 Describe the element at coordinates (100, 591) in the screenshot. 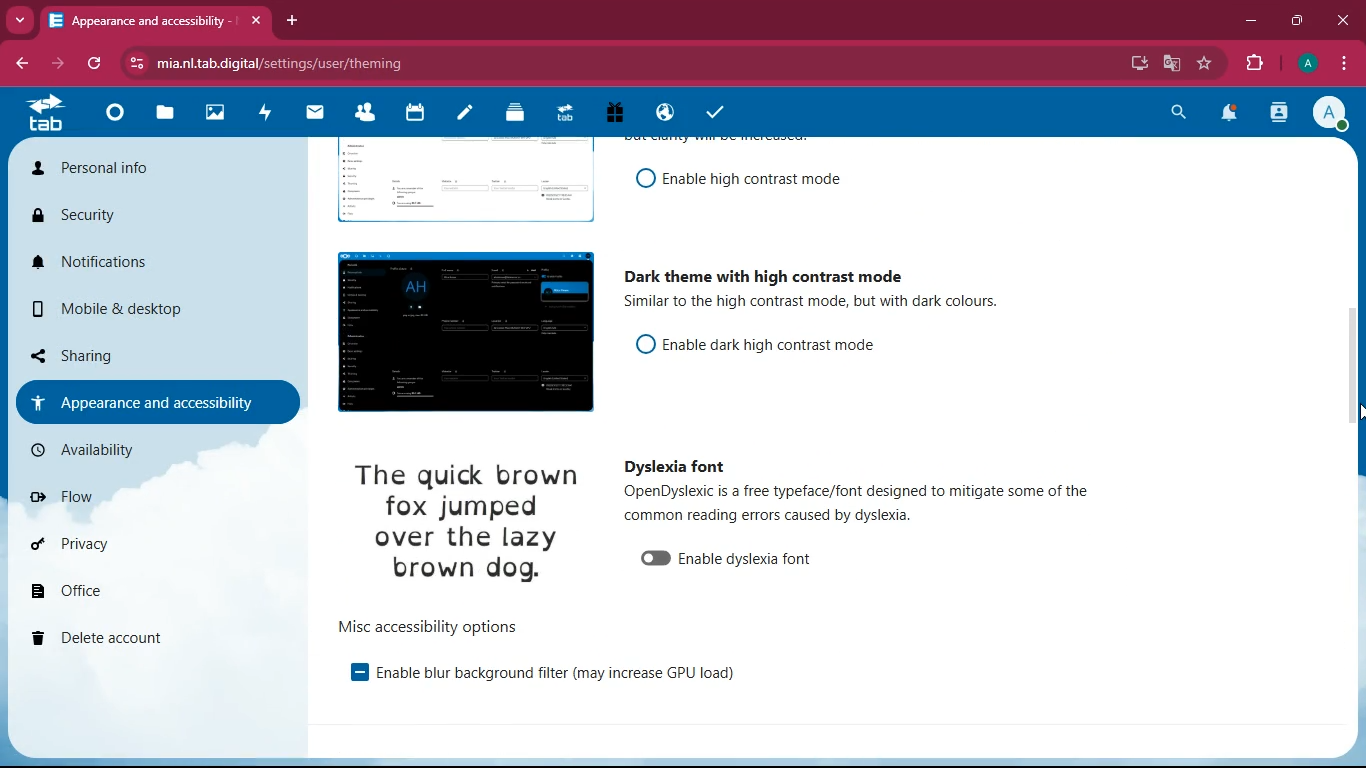

I see `office` at that location.